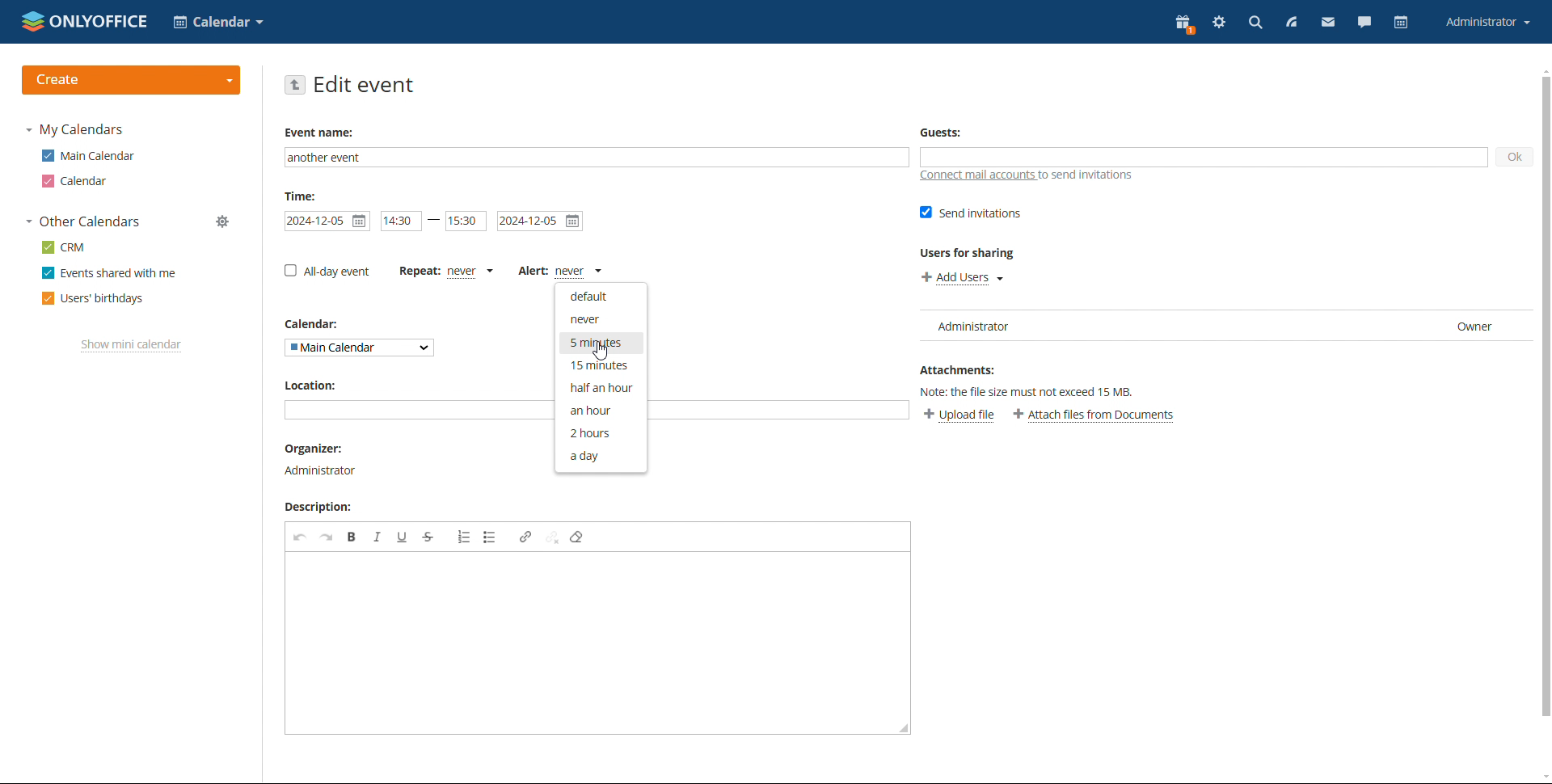 This screenshot has height=784, width=1552. I want to click on scroll up, so click(1542, 70).